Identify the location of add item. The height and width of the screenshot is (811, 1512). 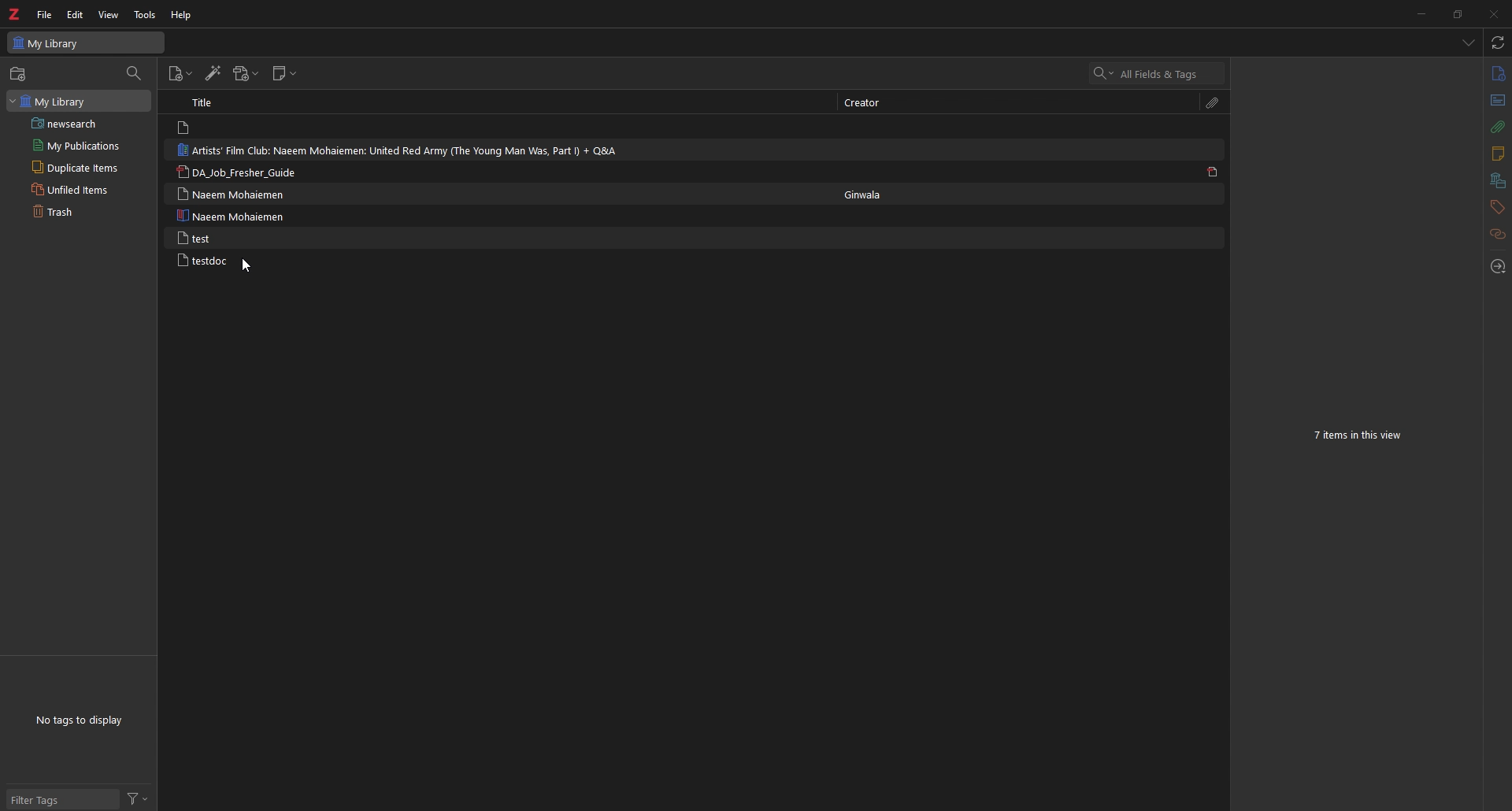
(180, 74).